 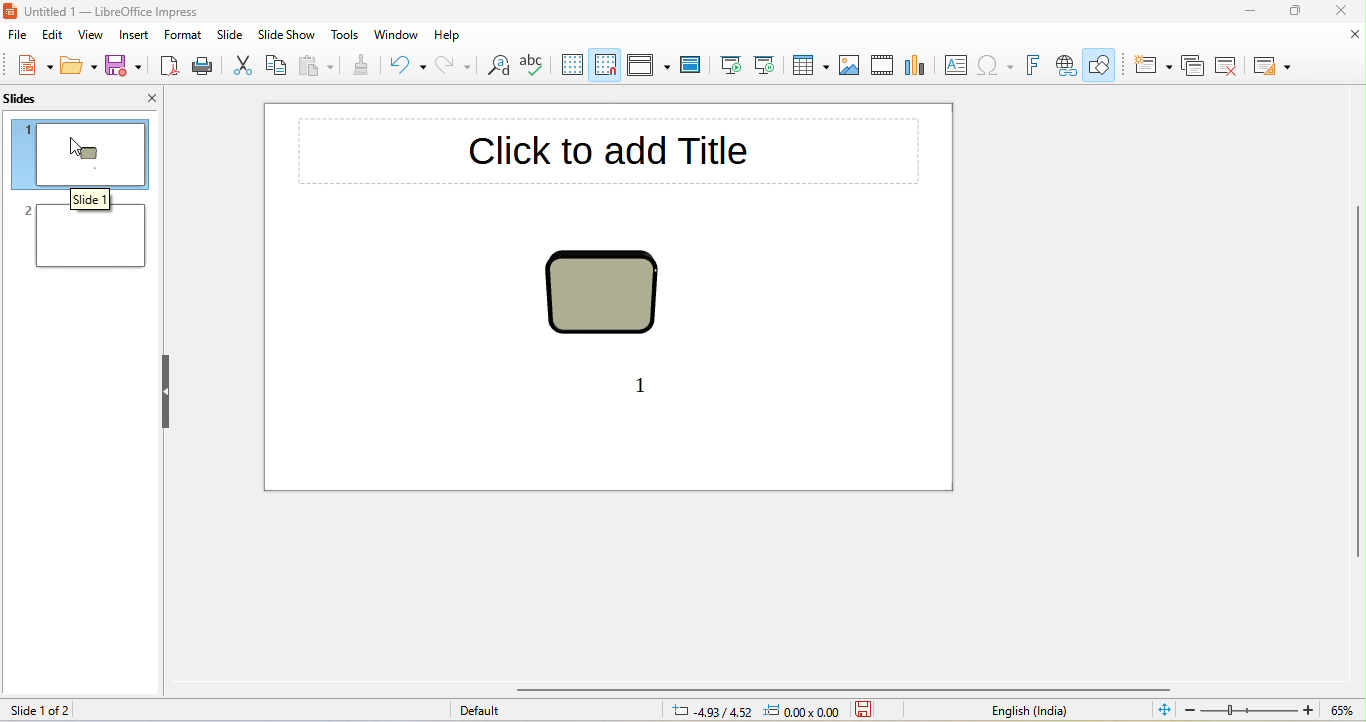 What do you see at coordinates (532, 68) in the screenshot?
I see `spelling` at bounding box center [532, 68].